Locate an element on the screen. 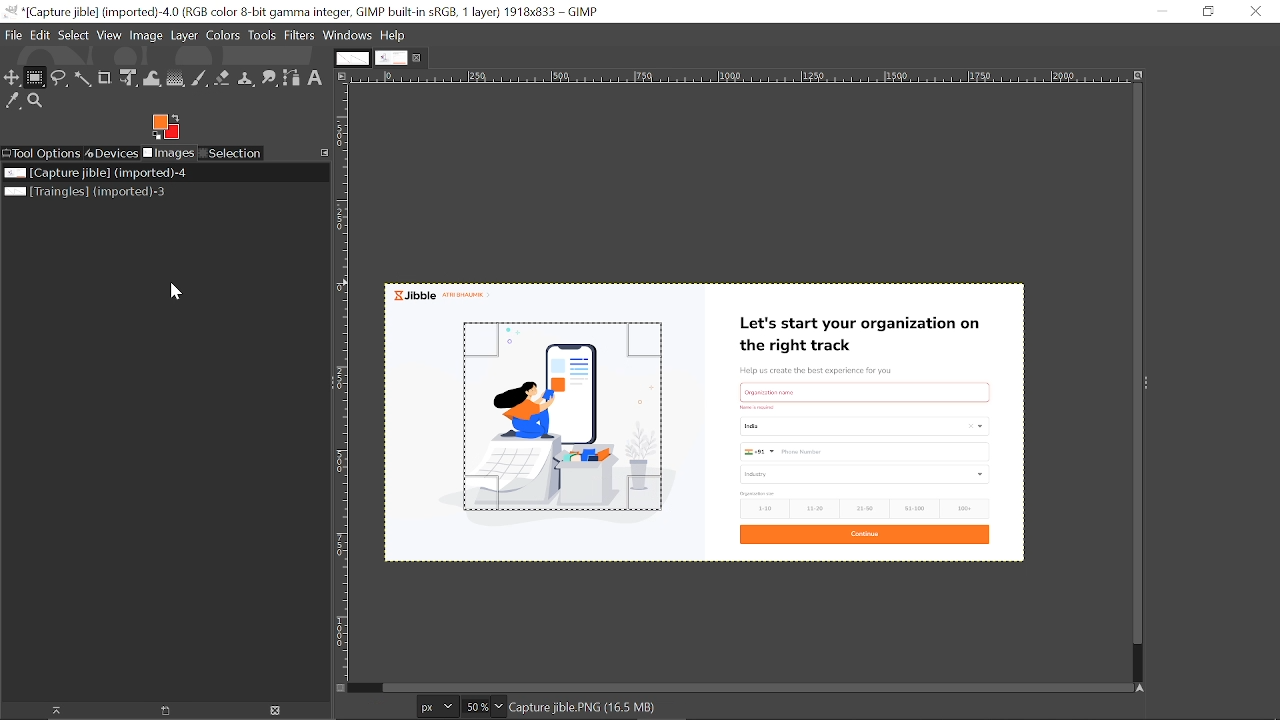 Image resolution: width=1280 pixels, height=720 pixels. Colors is located at coordinates (225, 38).